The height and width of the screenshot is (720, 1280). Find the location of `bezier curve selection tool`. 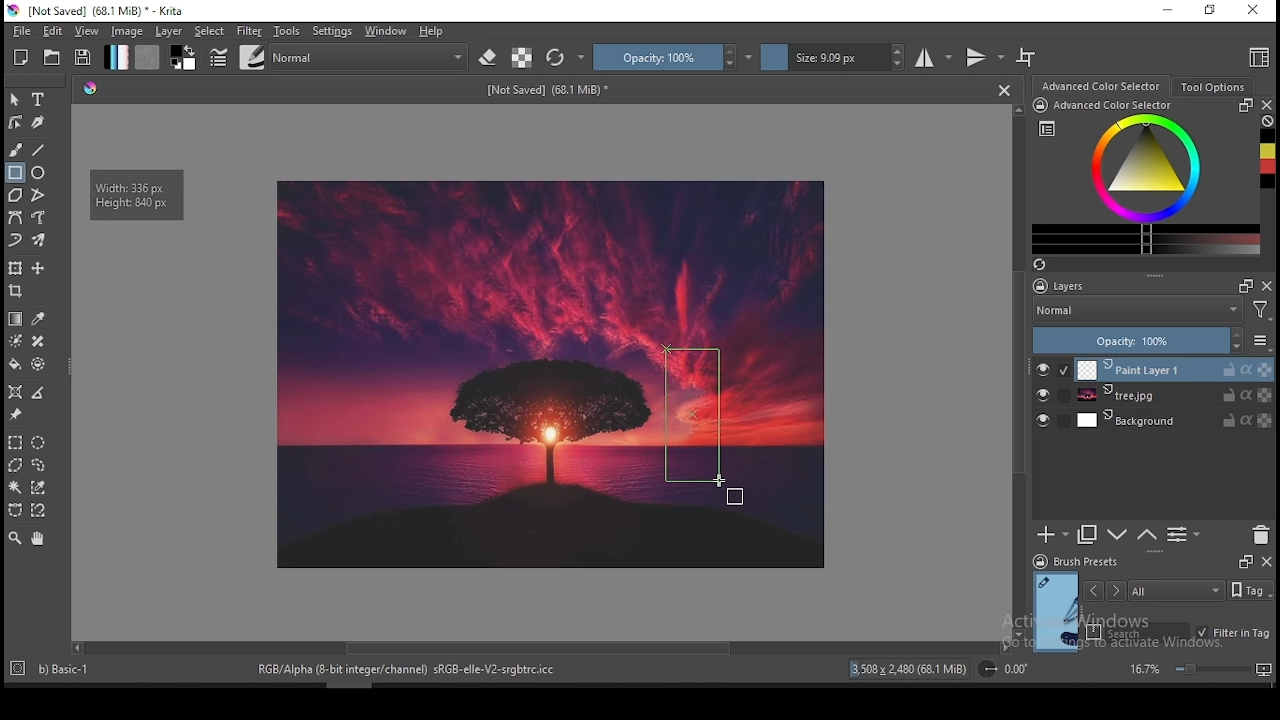

bezier curve selection tool is located at coordinates (13, 511).